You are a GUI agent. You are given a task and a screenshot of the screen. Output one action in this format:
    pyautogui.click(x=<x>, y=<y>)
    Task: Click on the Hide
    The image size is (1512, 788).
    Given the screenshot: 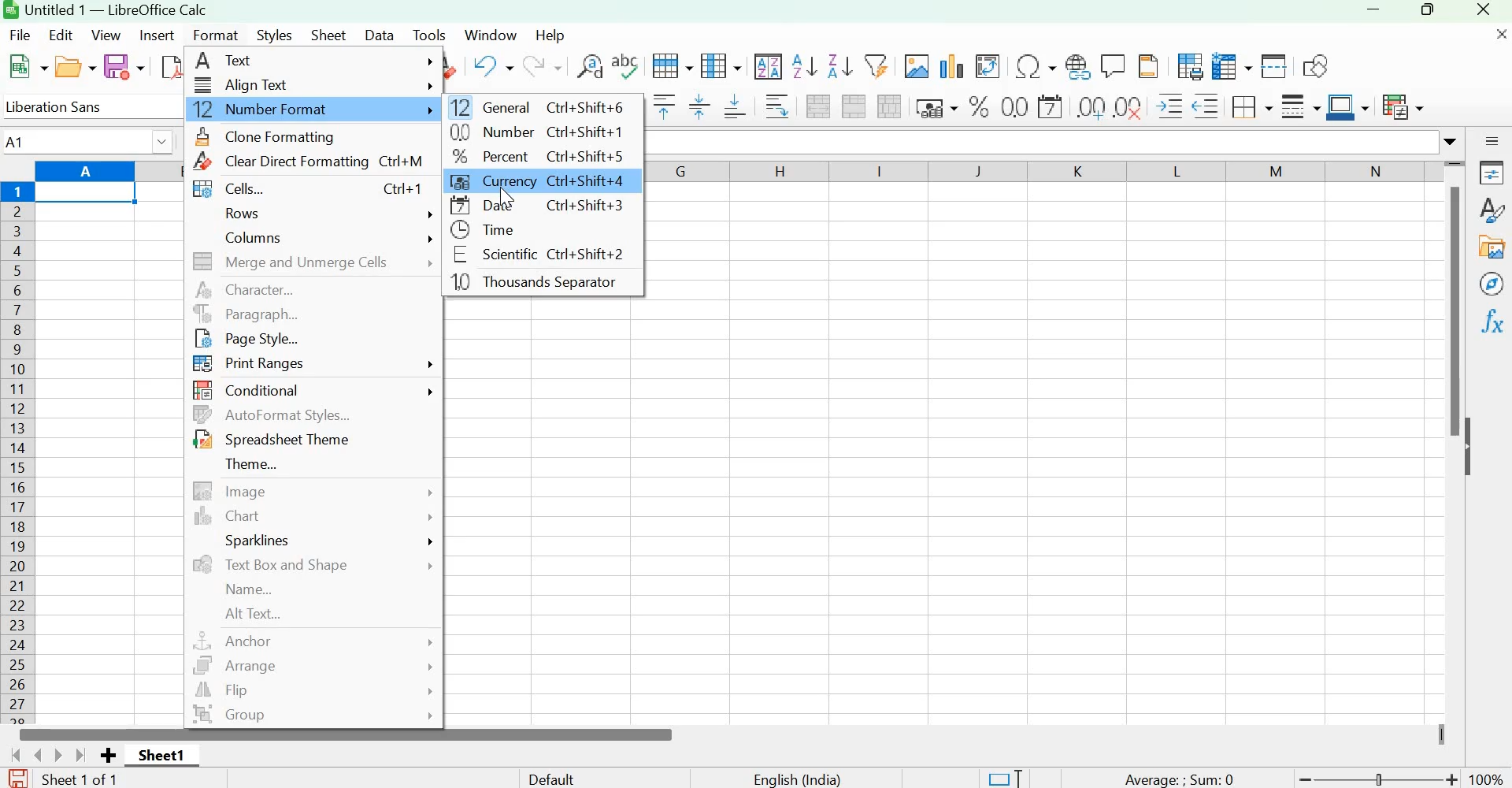 What is the action you would take?
    pyautogui.click(x=1472, y=448)
    